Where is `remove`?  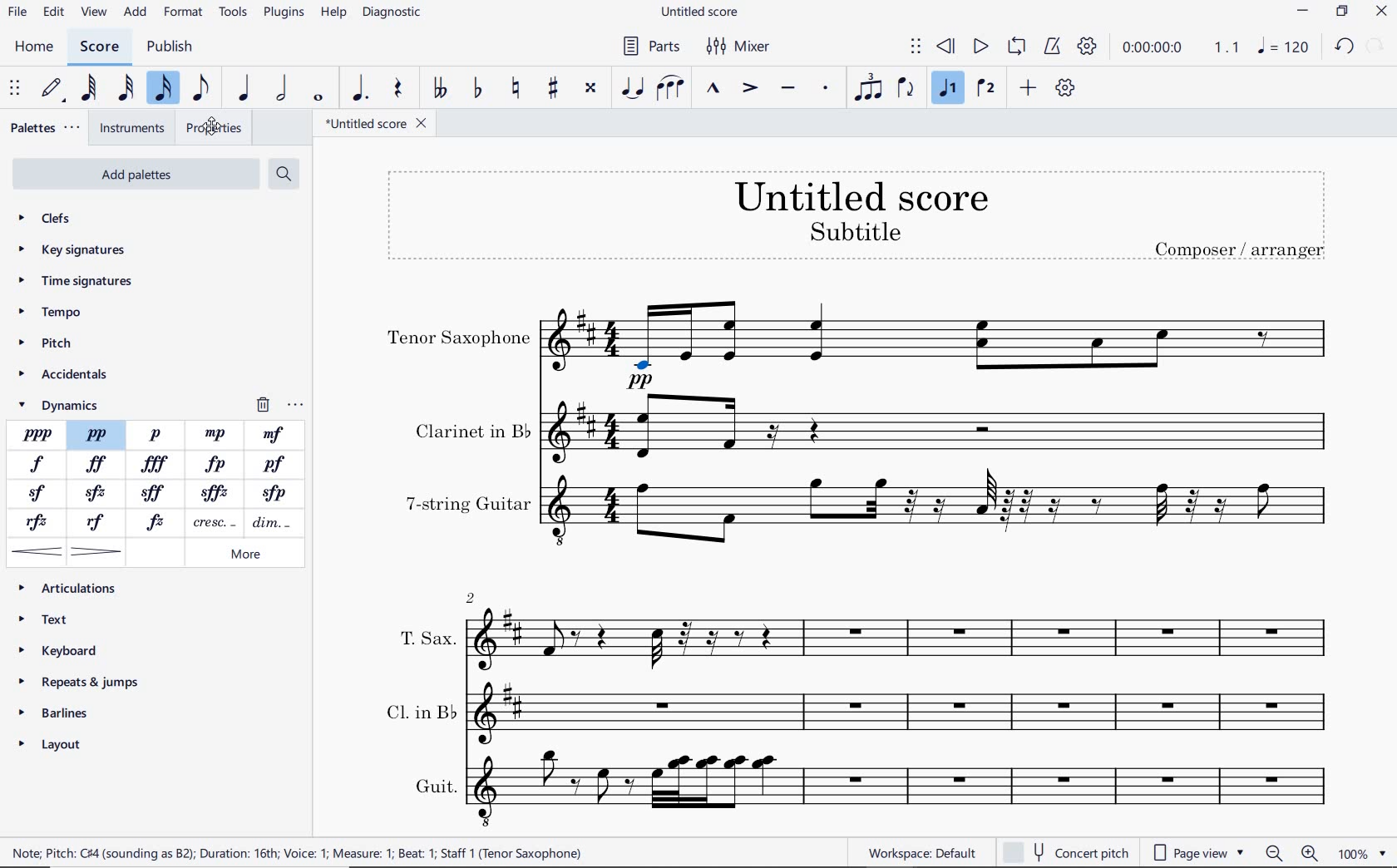 remove is located at coordinates (279, 405).